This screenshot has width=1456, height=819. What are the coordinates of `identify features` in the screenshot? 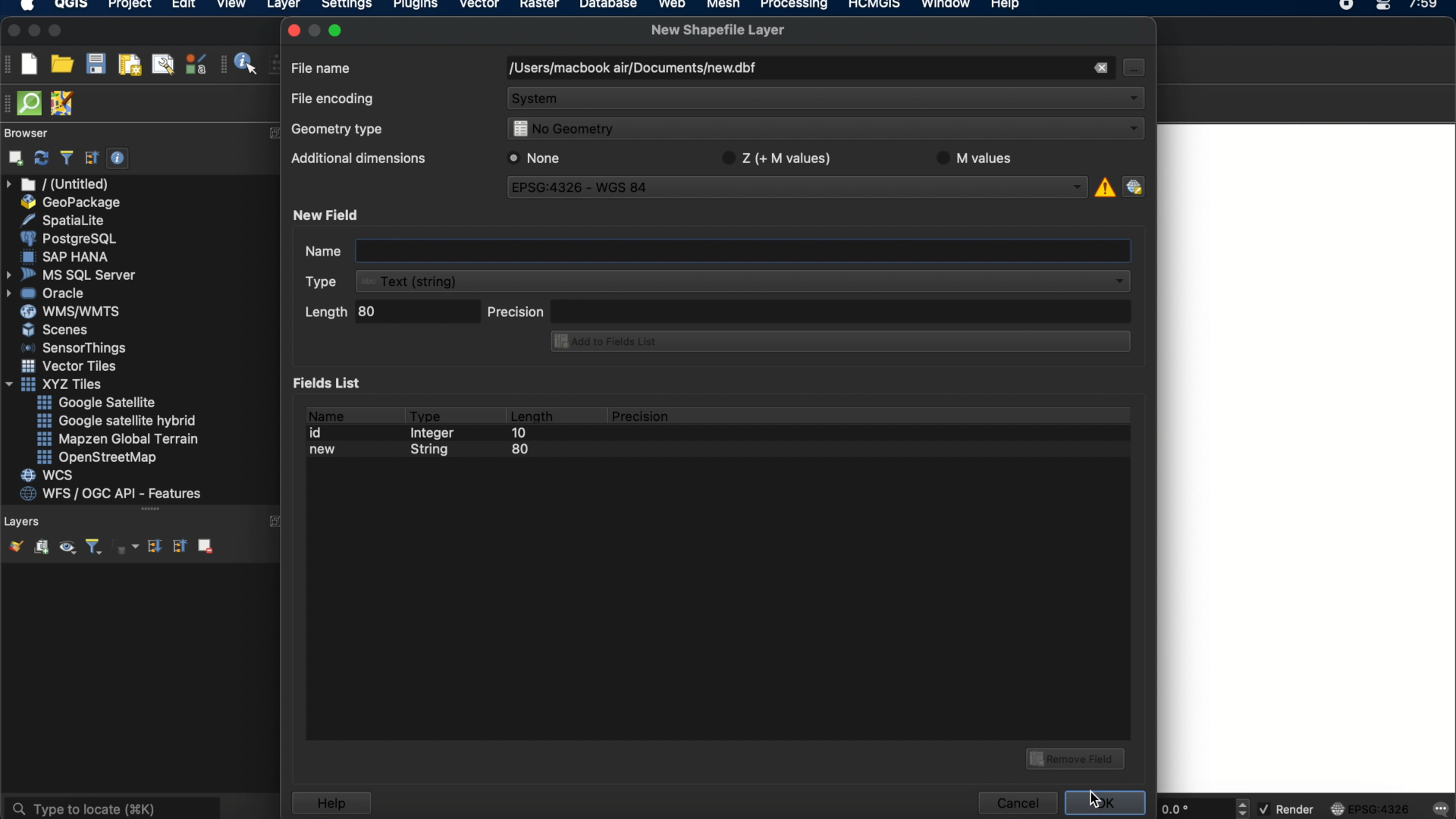 It's located at (240, 64).